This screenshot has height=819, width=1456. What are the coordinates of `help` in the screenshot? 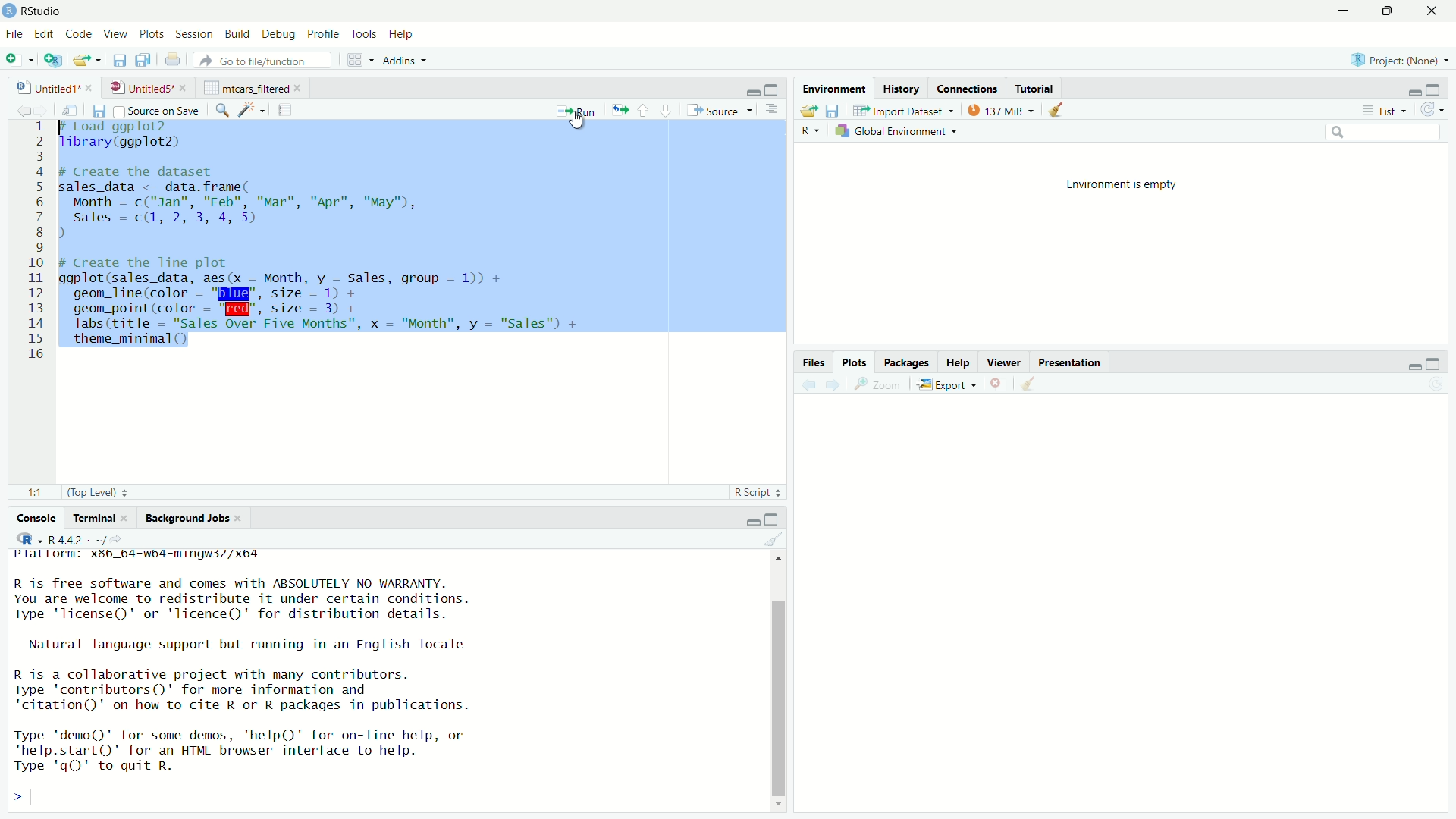 It's located at (959, 363).